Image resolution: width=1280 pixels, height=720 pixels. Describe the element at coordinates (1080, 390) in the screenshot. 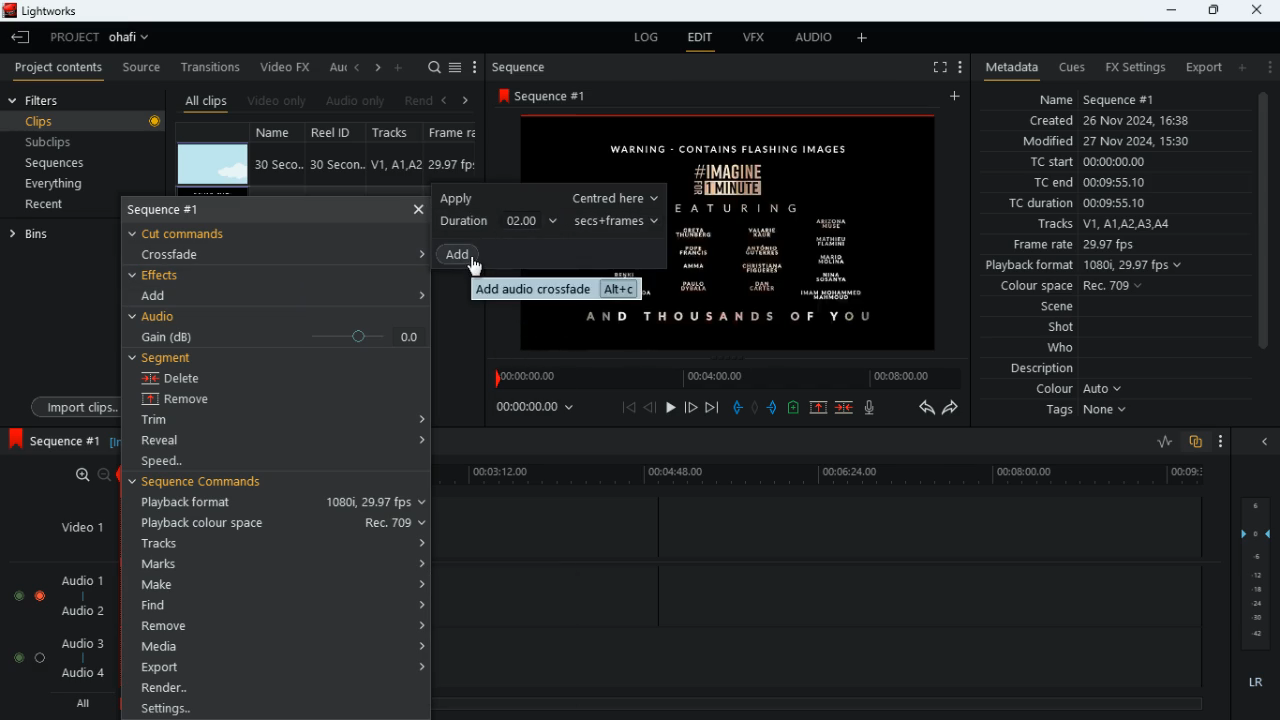

I see `colour` at that location.